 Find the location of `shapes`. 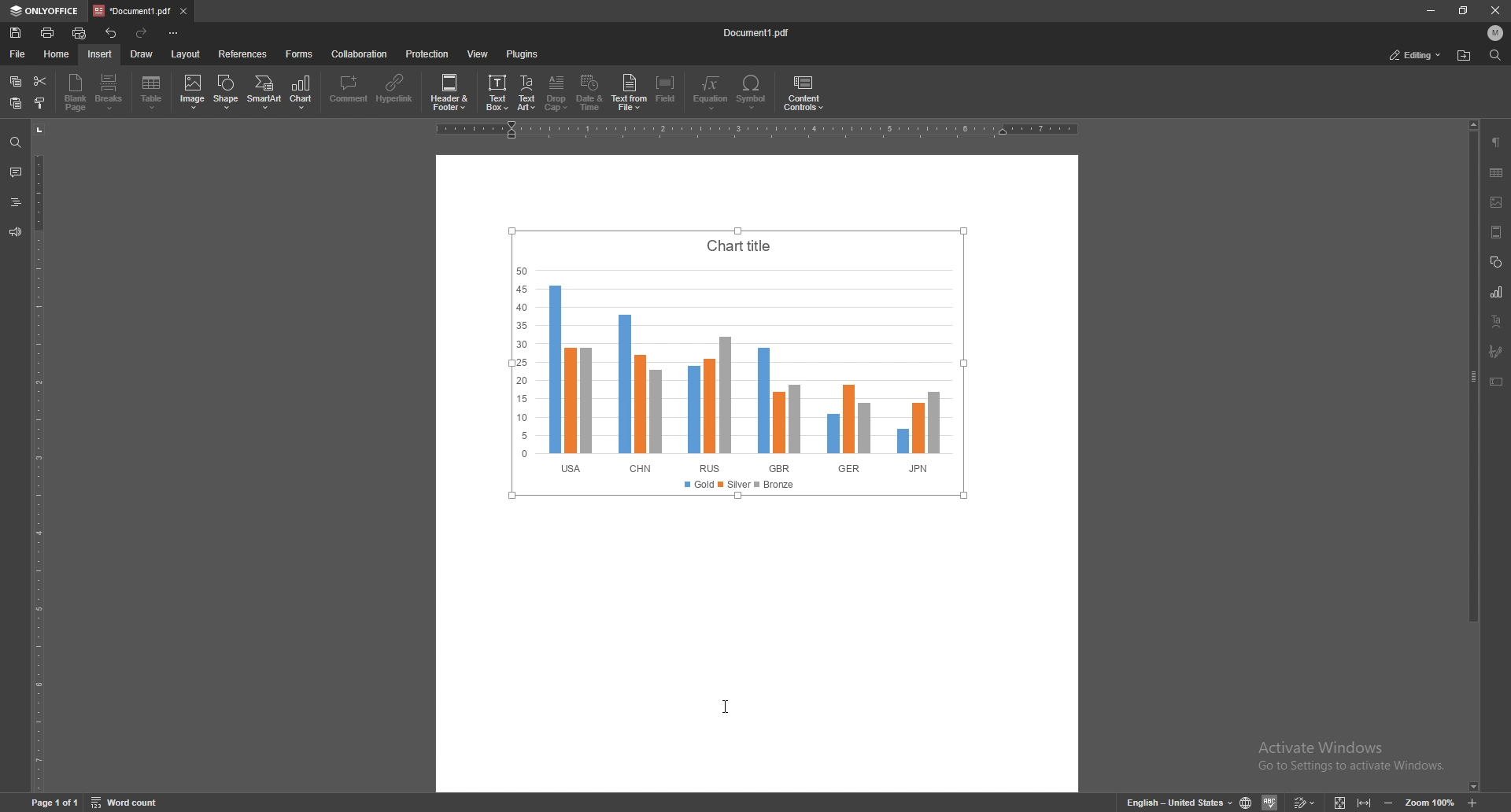

shapes is located at coordinates (1498, 262).